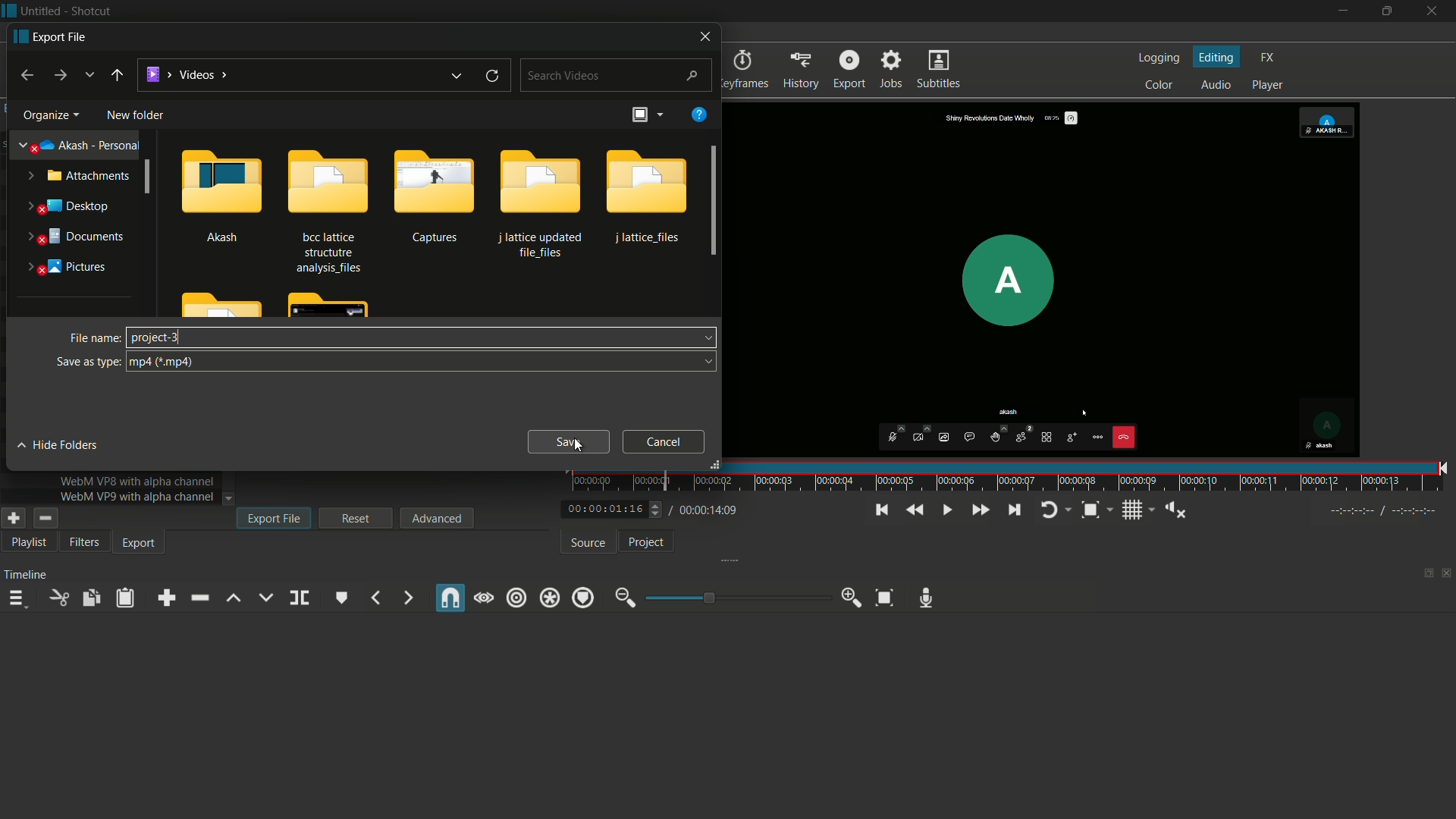 The height and width of the screenshot is (819, 1456). What do you see at coordinates (80, 143) in the screenshot?
I see `akash personal` at bounding box center [80, 143].